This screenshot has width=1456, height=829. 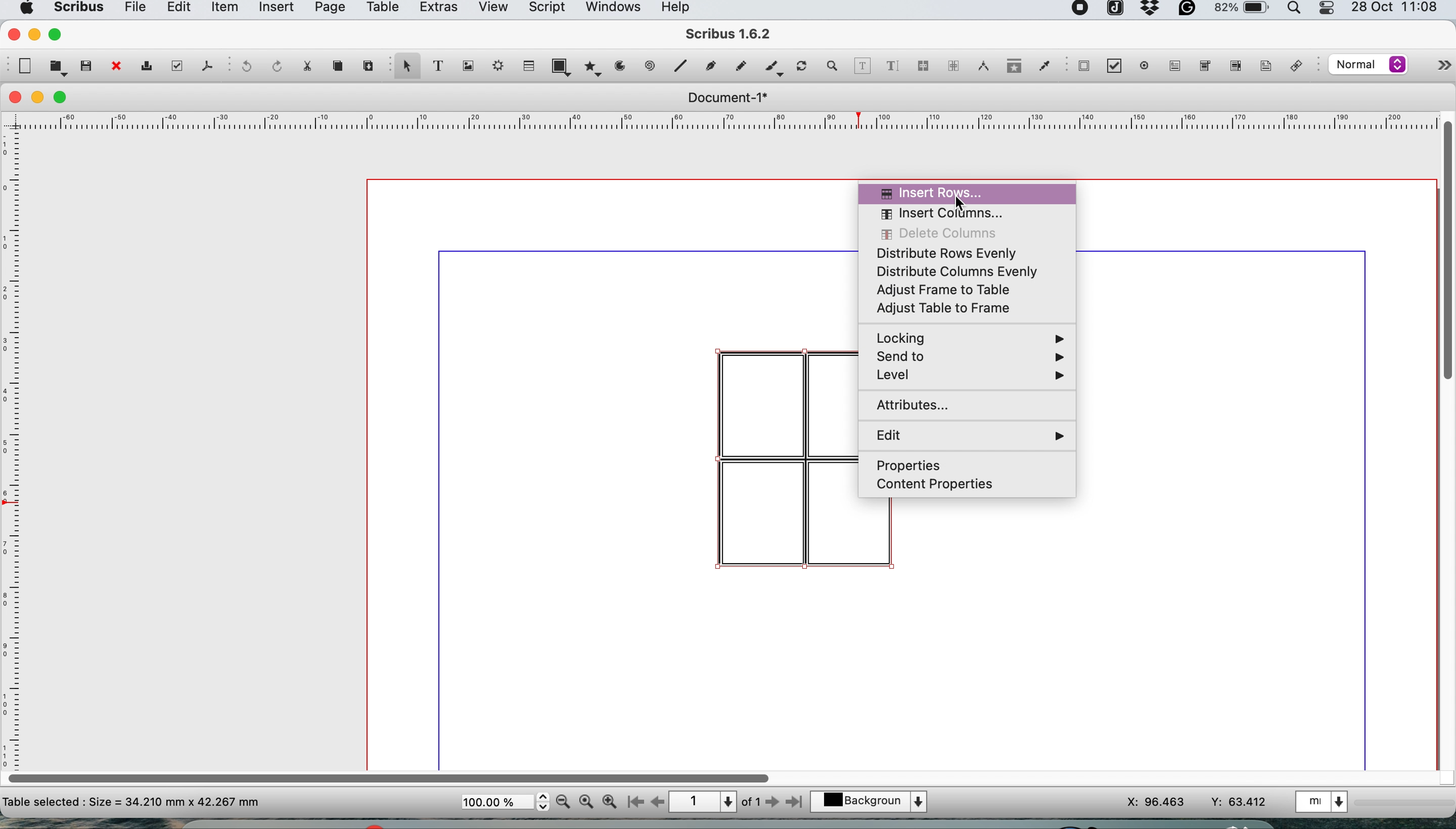 I want to click on spiral, so click(x=651, y=65).